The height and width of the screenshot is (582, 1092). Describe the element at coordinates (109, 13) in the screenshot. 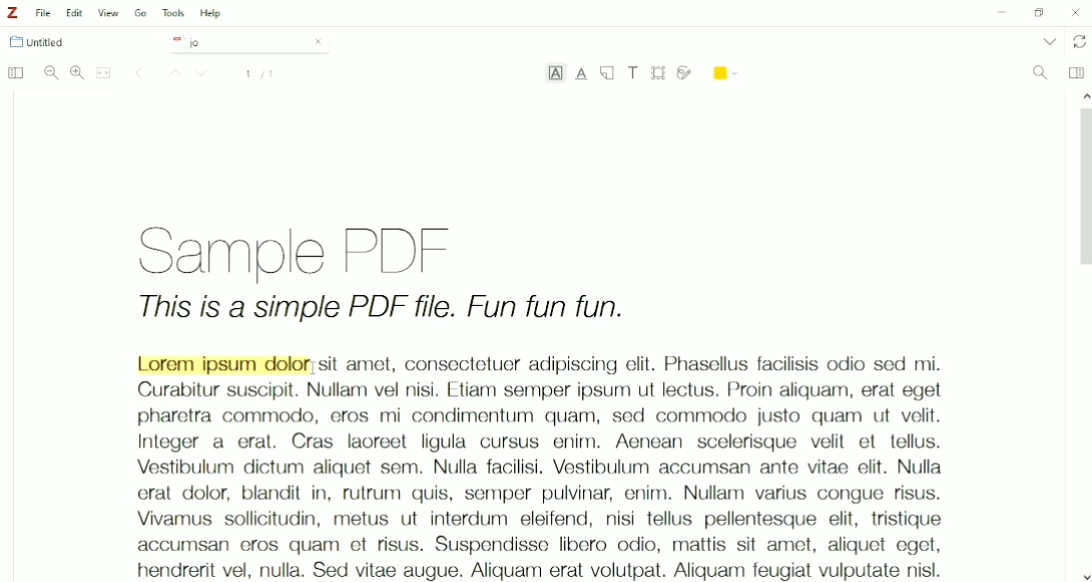

I see `View` at that location.